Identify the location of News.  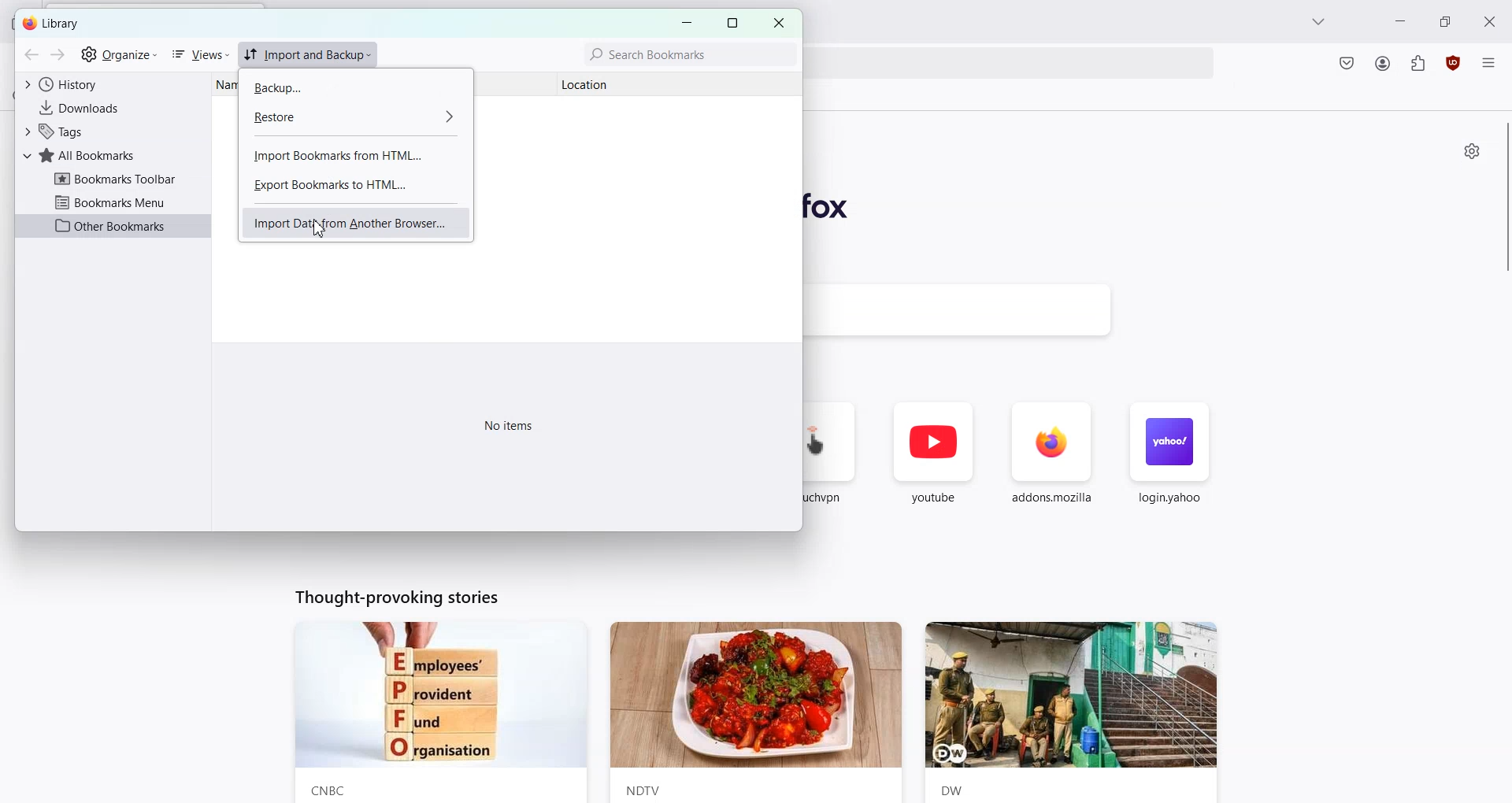
(1079, 712).